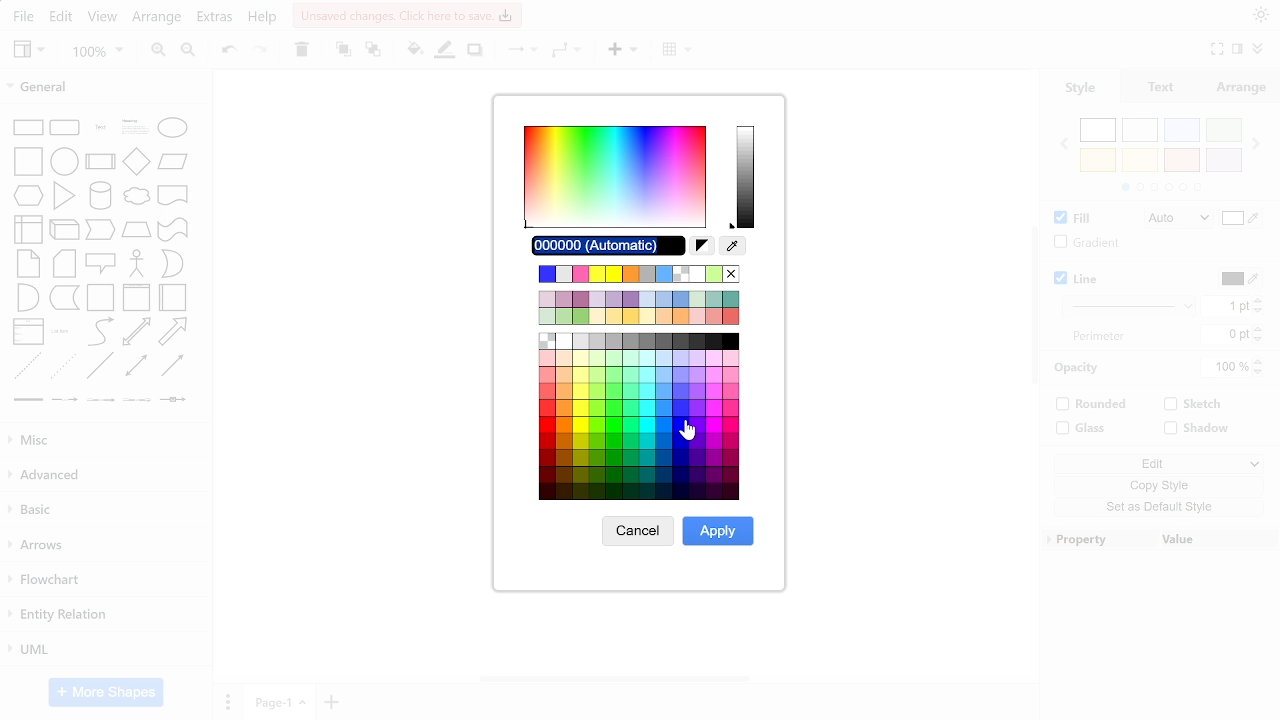  Describe the element at coordinates (614, 178) in the screenshot. I see `color spectrum` at that location.